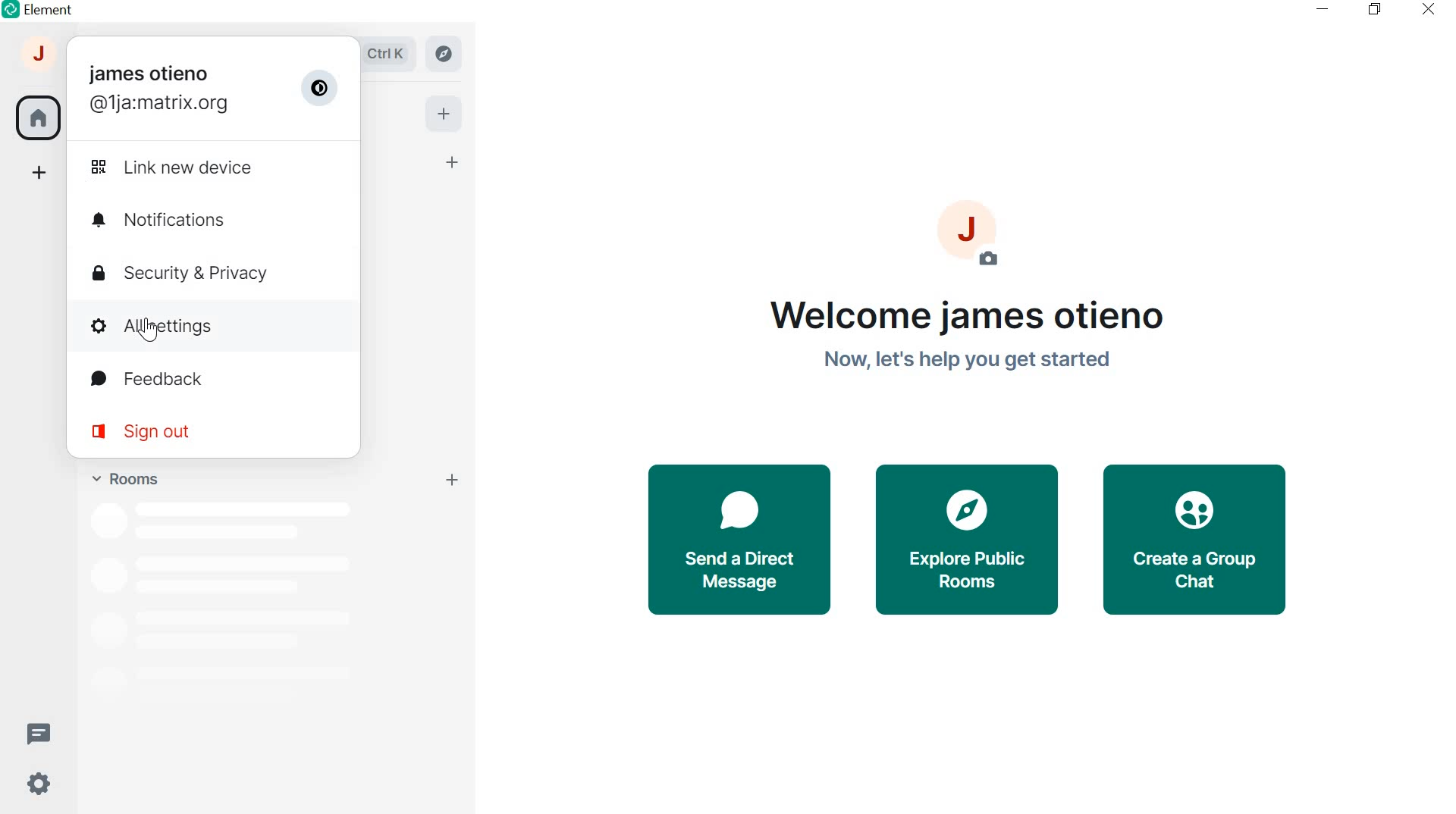 The width and height of the screenshot is (1456, 814). Describe the element at coordinates (1374, 10) in the screenshot. I see `RESTORE DOWN` at that location.